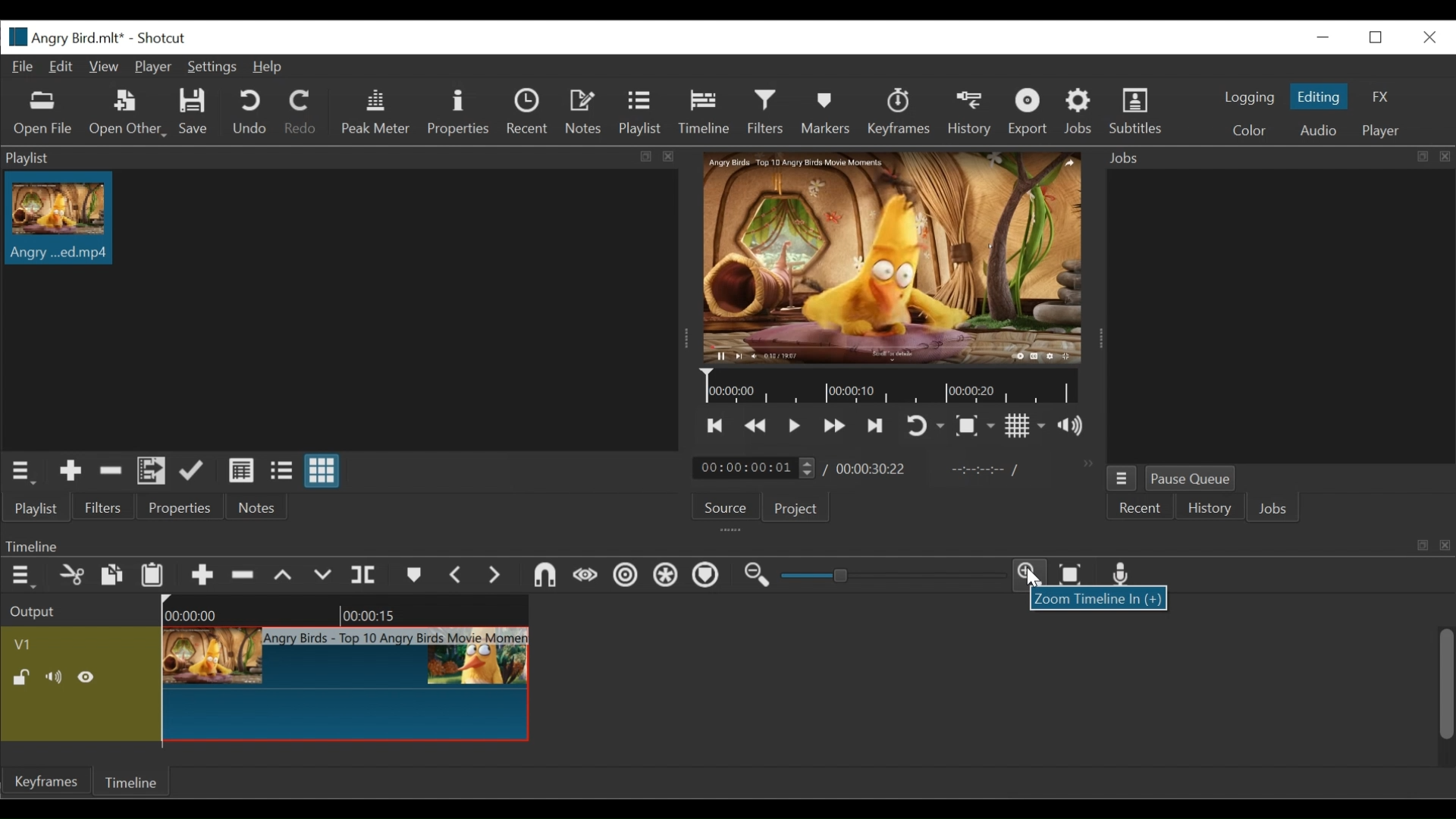 This screenshot has width=1456, height=819. What do you see at coordinates (588, 575) in the screenshot?
I see `Scrub while dragging` at bounding box center [588, 575].